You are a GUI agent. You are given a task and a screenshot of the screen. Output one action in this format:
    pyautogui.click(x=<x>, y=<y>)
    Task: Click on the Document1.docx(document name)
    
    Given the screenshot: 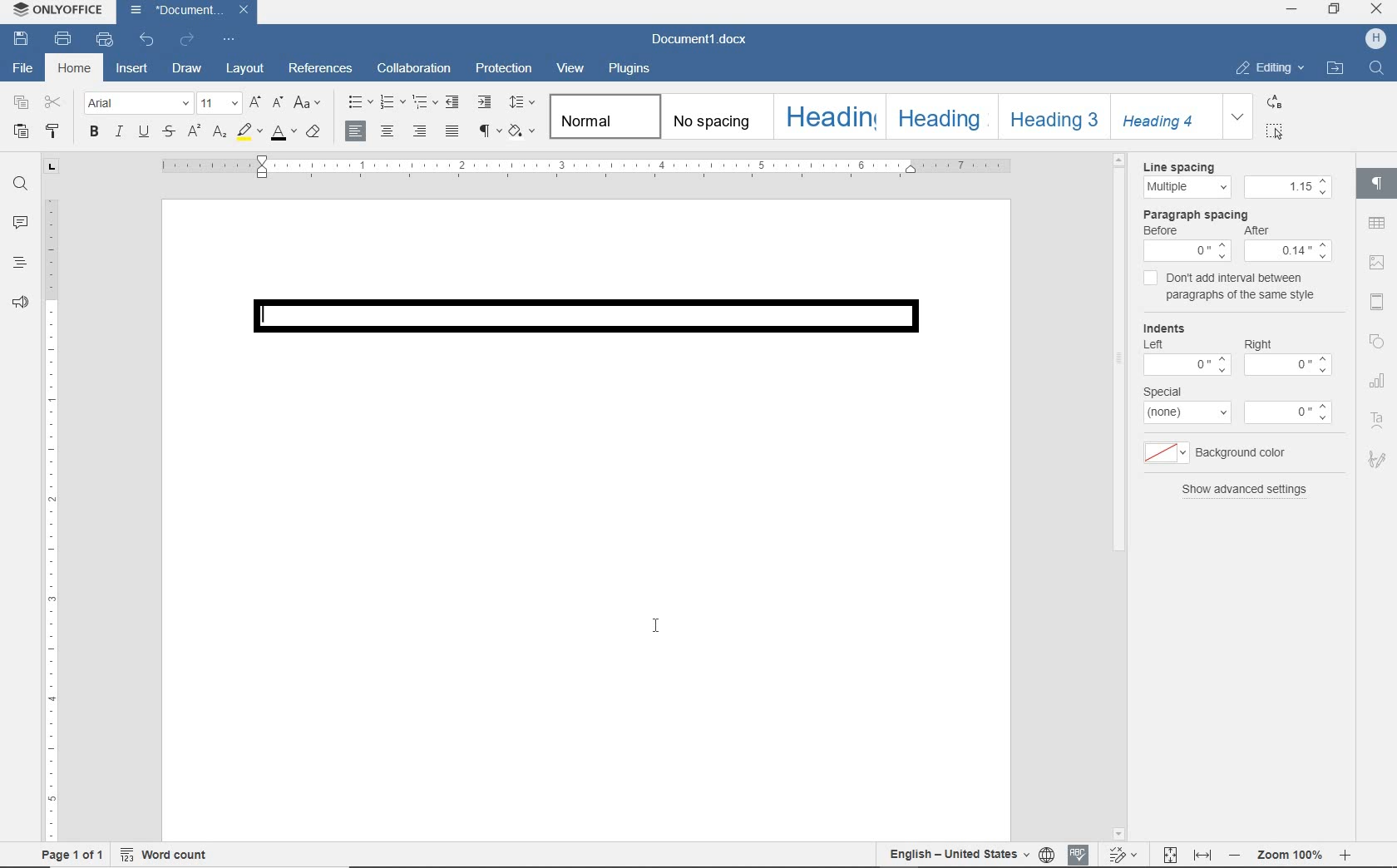 What is the action you would take?
    pyautogui.click(x=706, y=40)
    